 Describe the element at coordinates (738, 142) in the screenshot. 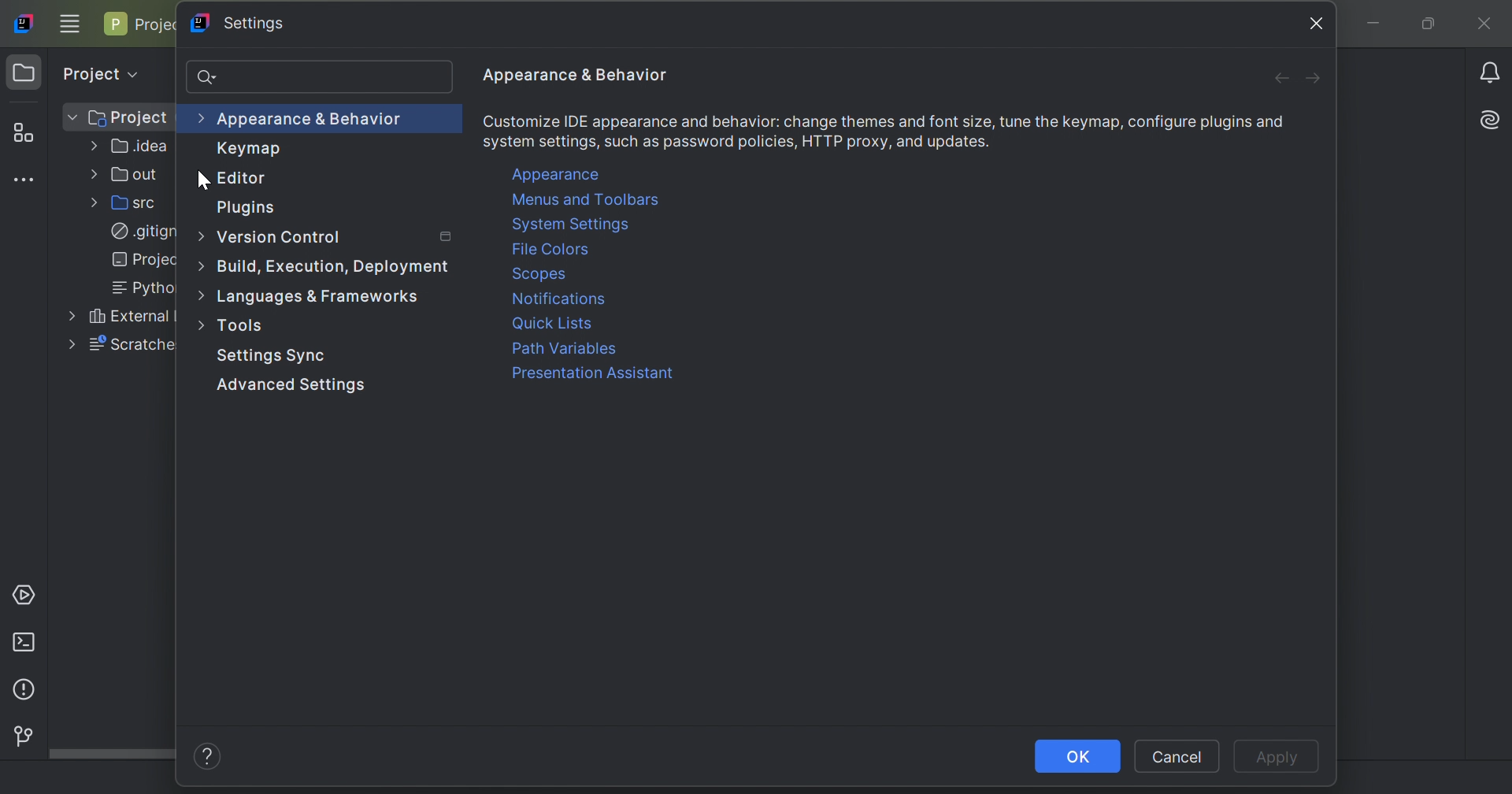

I see `system settings, such as password policies, HTTP proxy, and updates.` at that location.